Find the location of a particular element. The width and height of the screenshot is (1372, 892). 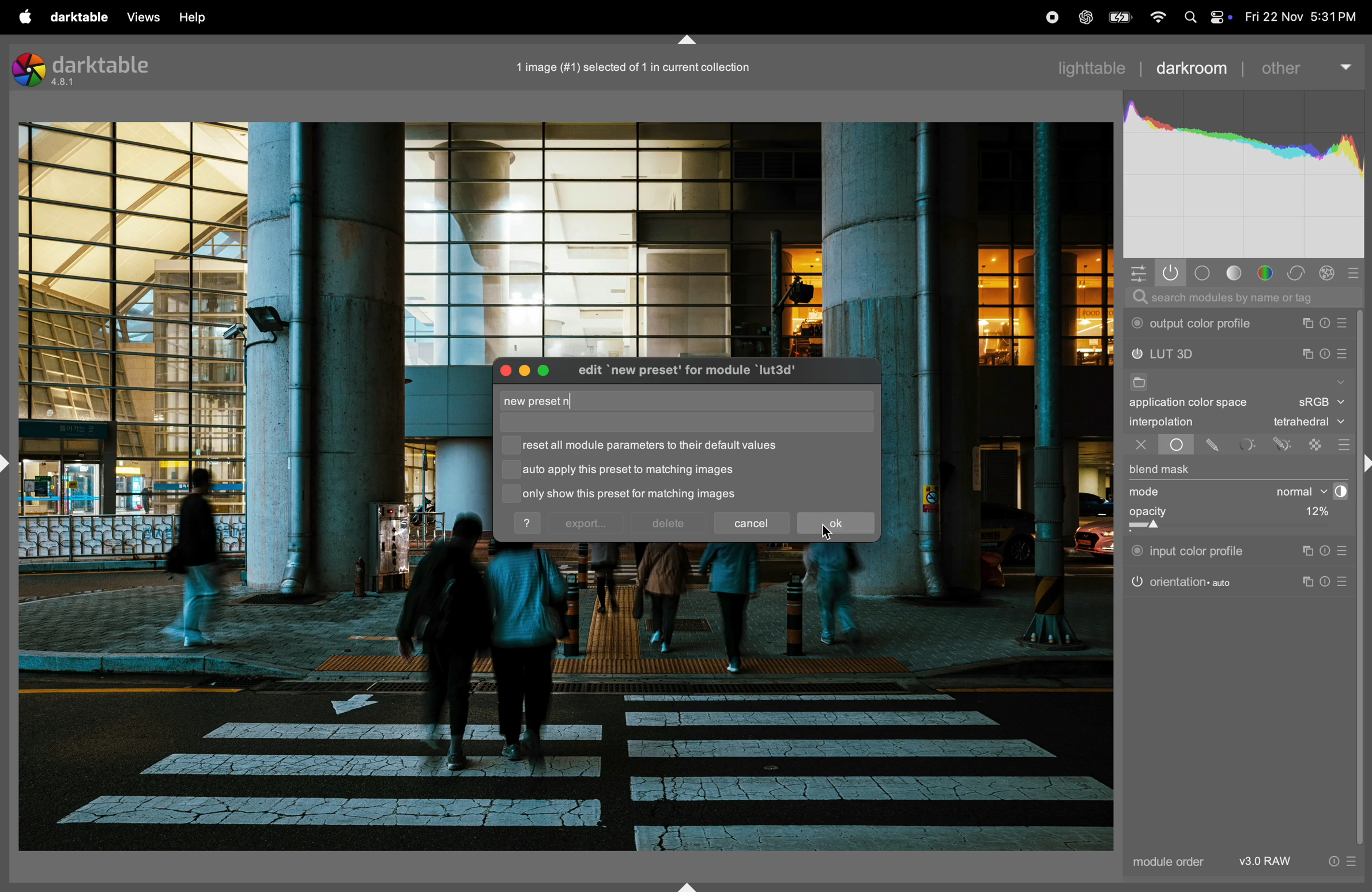

shift+ctrl+b is located at coordinates (688, 886).